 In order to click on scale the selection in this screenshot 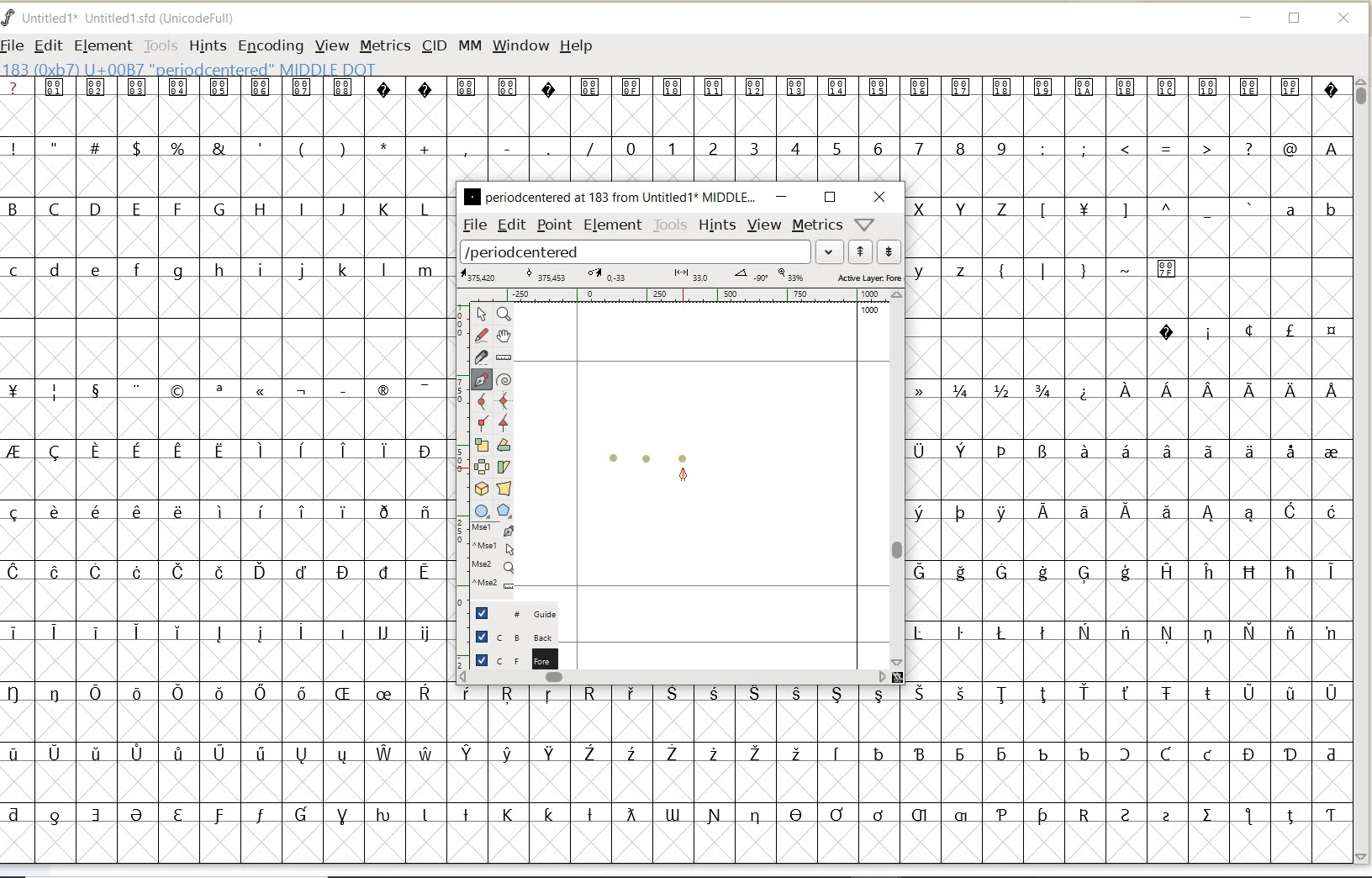, I will do `click(480, 446)`.